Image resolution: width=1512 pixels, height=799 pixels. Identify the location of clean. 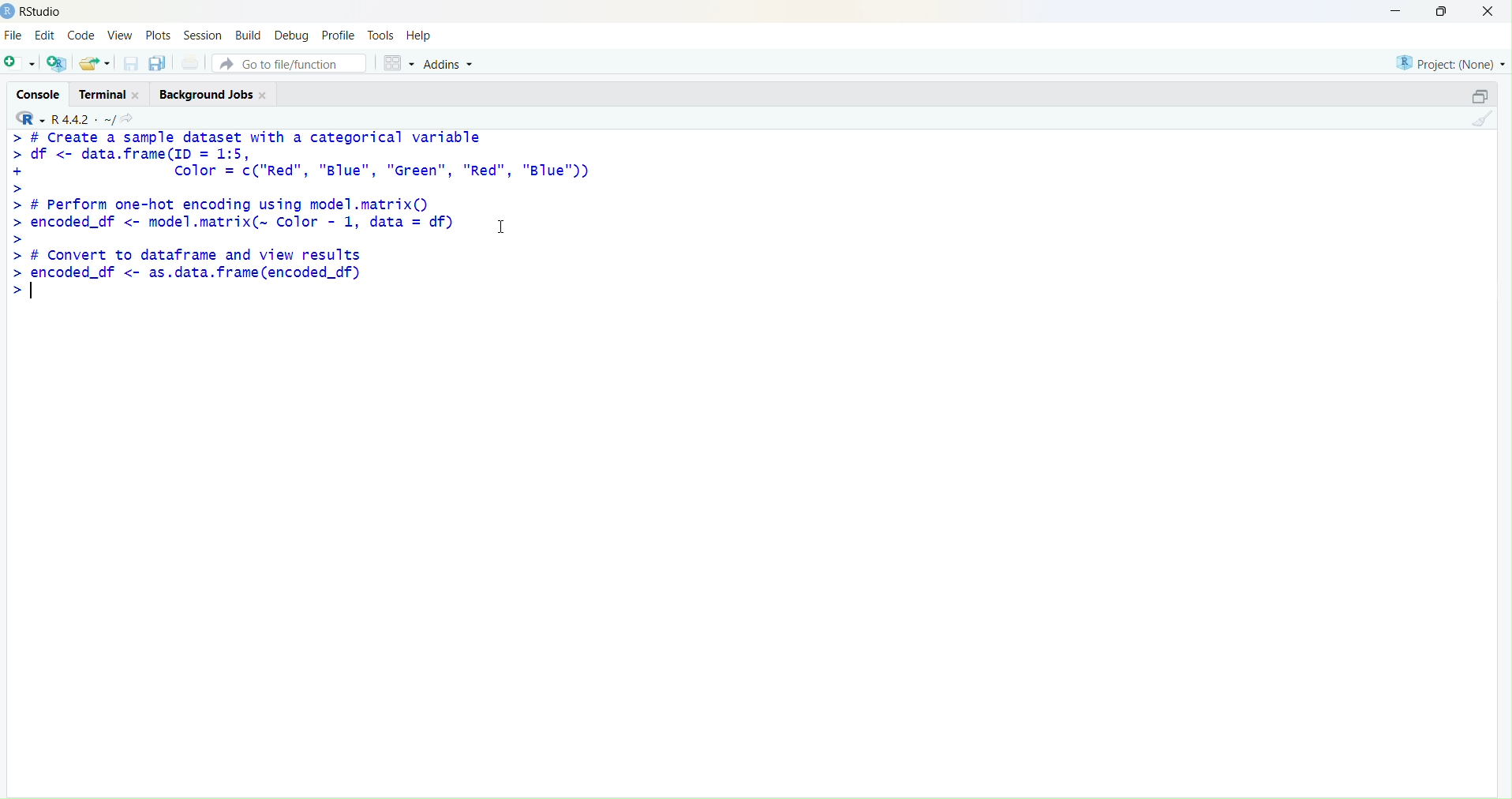
(1482, 118).